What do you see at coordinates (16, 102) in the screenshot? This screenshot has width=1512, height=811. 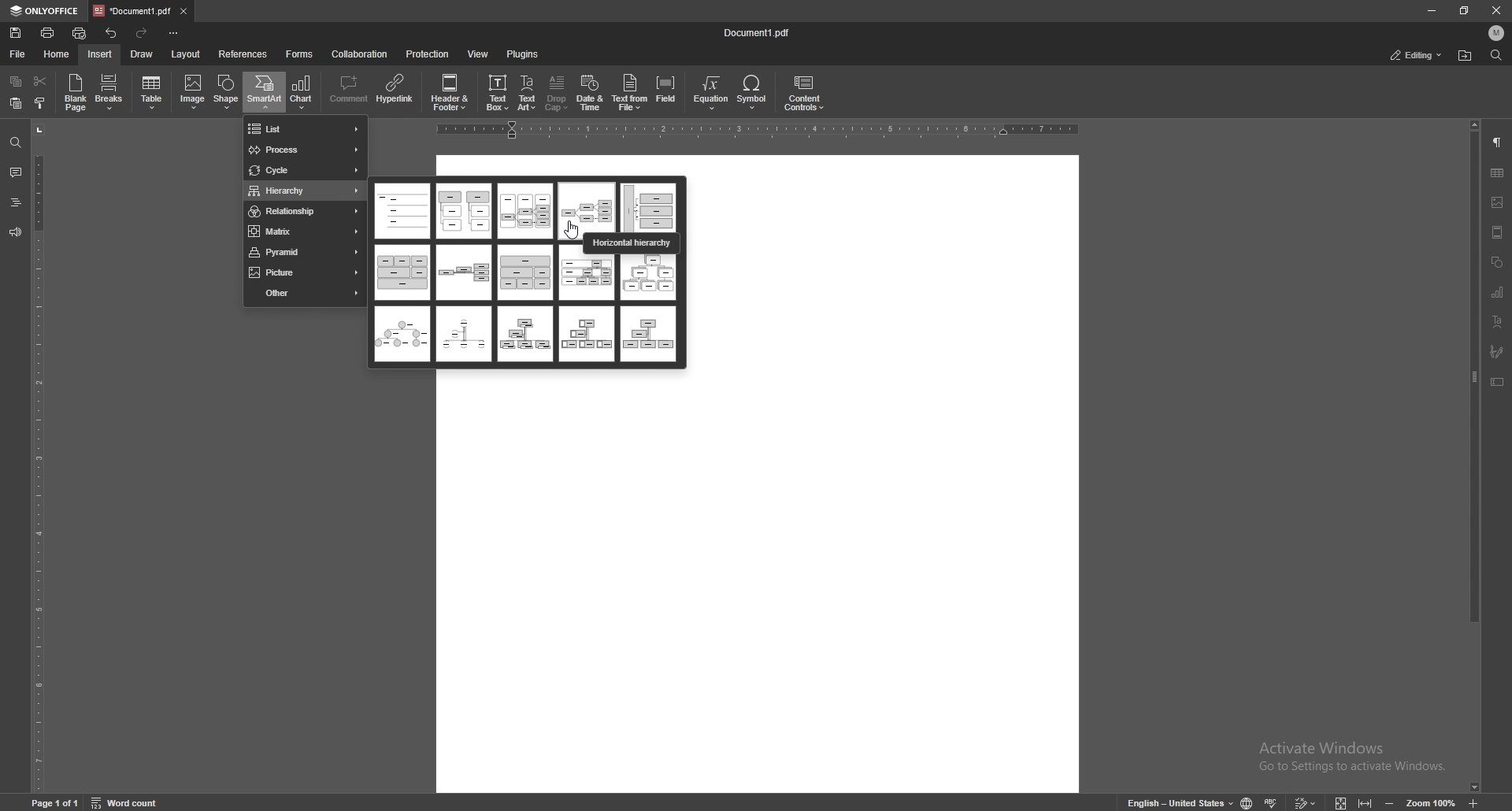 I see `paste` at bounding box center [16, 102].